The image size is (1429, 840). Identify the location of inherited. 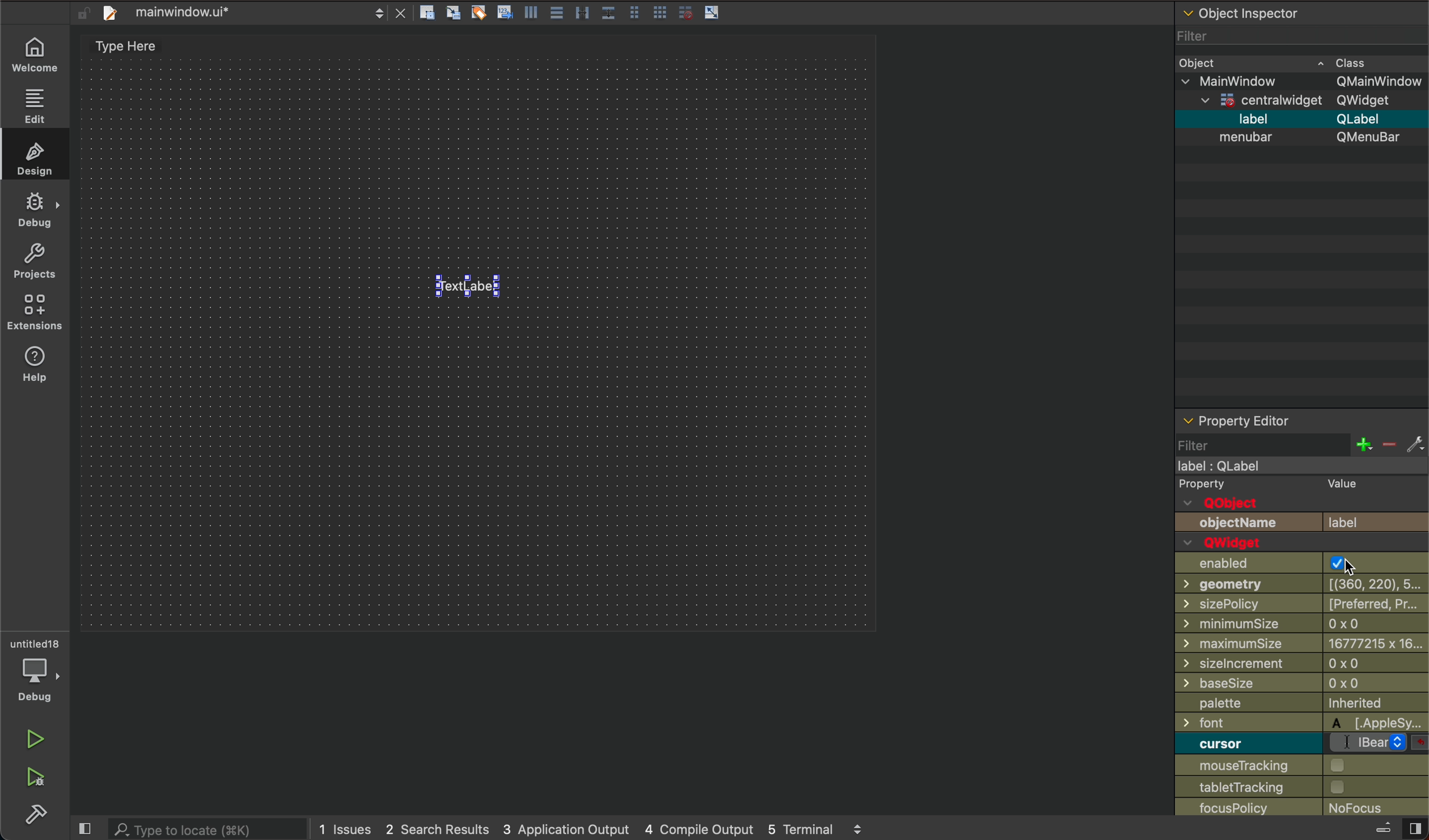
(1368, 705).